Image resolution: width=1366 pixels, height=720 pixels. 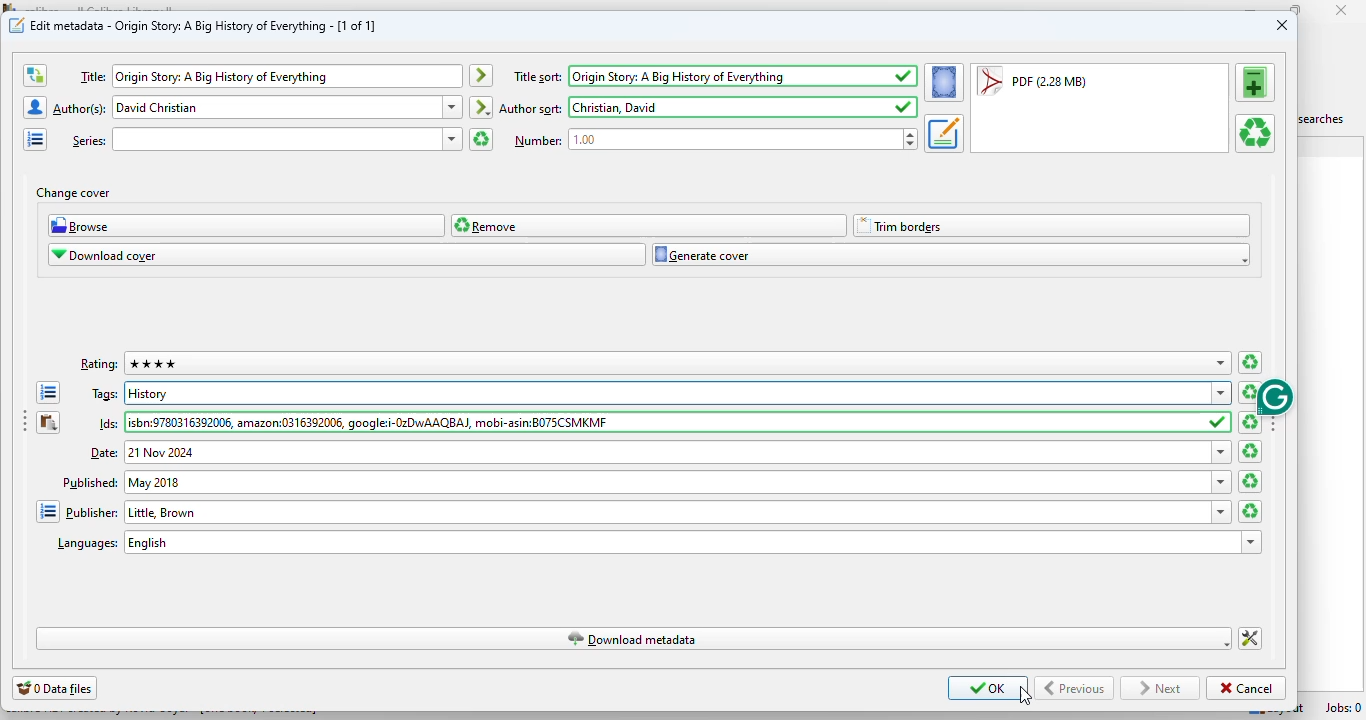 I want to click on 0 data files, so click(x=54, y=688).